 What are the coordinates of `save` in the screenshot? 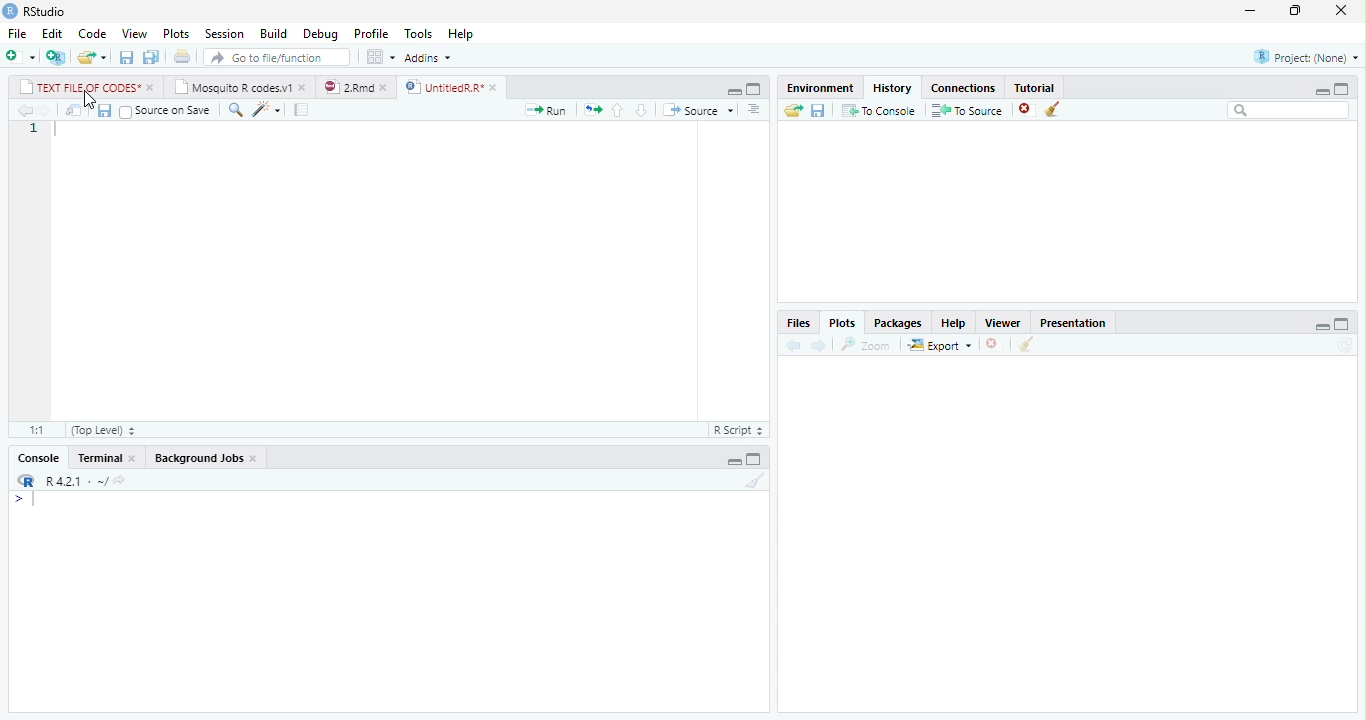 It's located at (104, 111).